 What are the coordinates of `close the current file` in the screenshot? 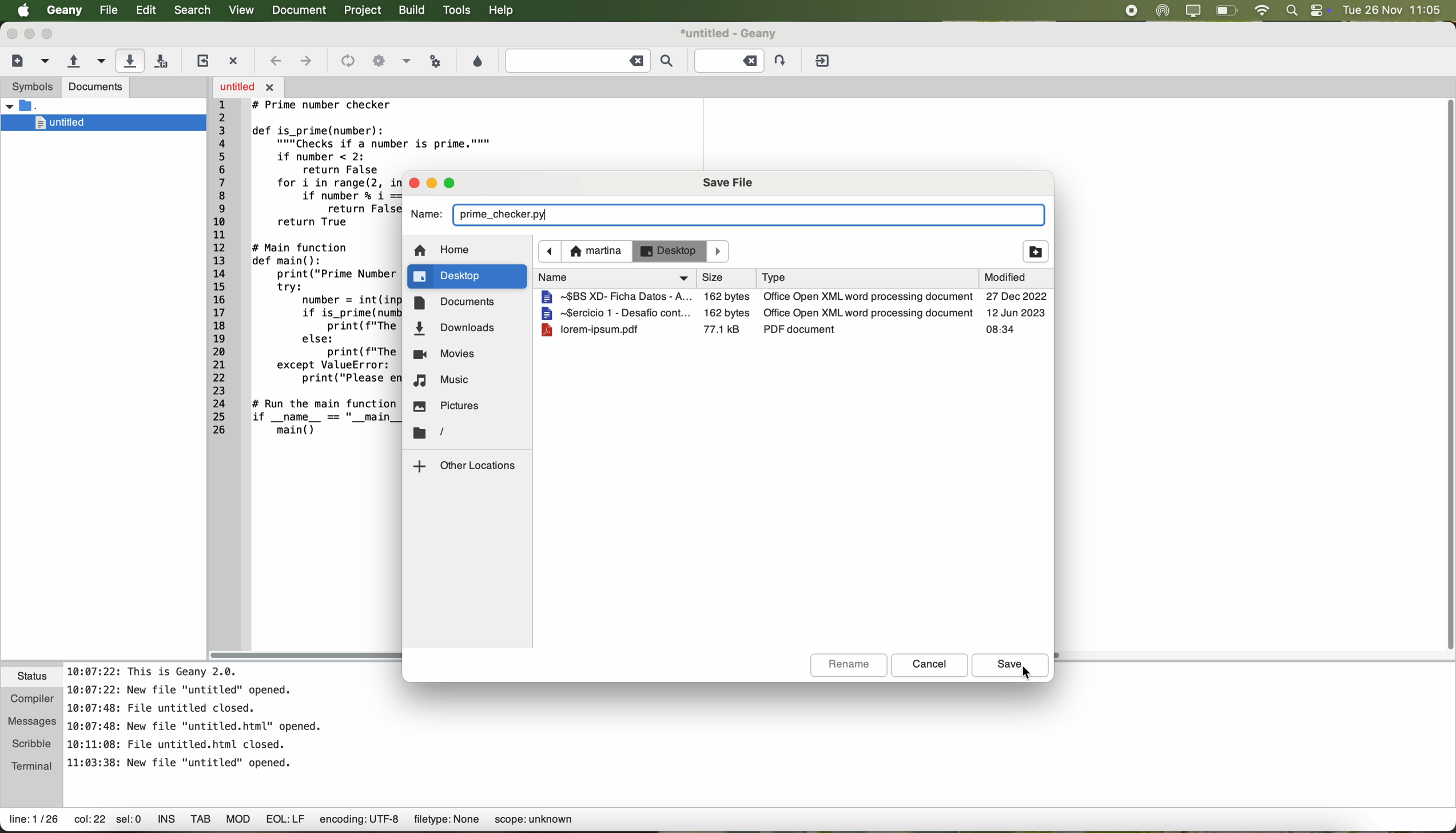 It's located at (236, 58).